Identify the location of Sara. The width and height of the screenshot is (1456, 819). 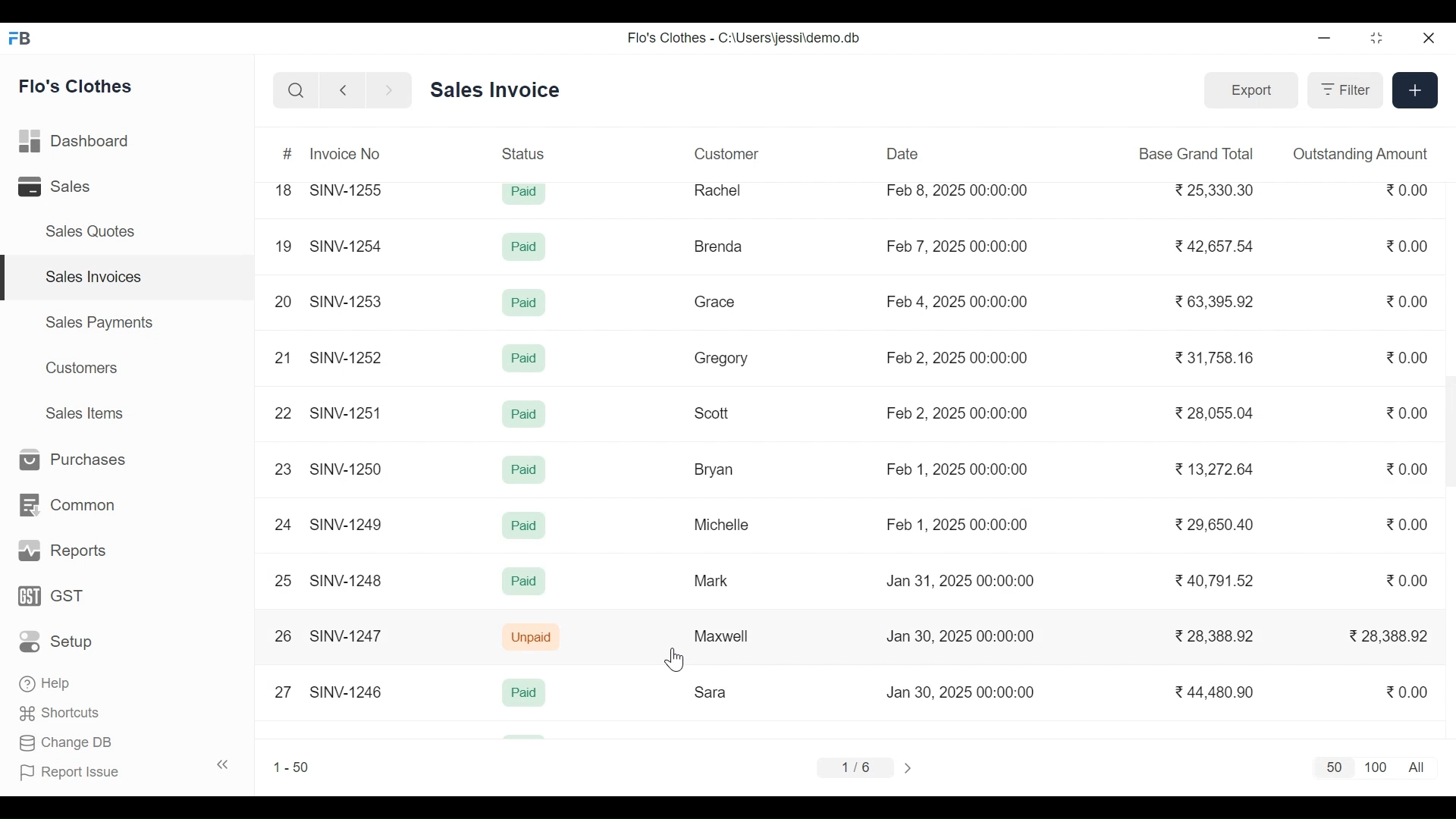
(713, 692).